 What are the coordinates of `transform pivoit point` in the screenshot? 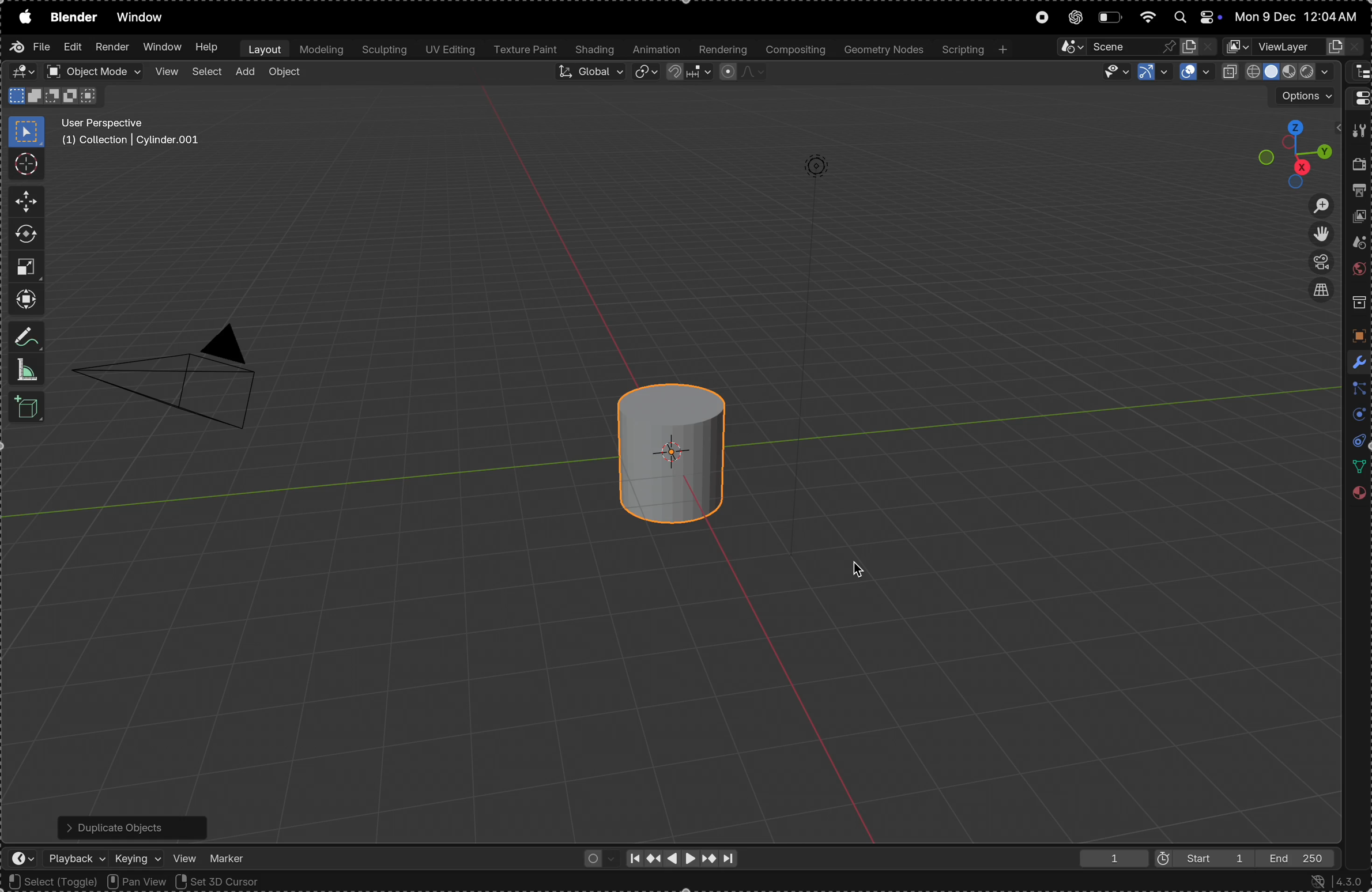 It's located at (647, 73).